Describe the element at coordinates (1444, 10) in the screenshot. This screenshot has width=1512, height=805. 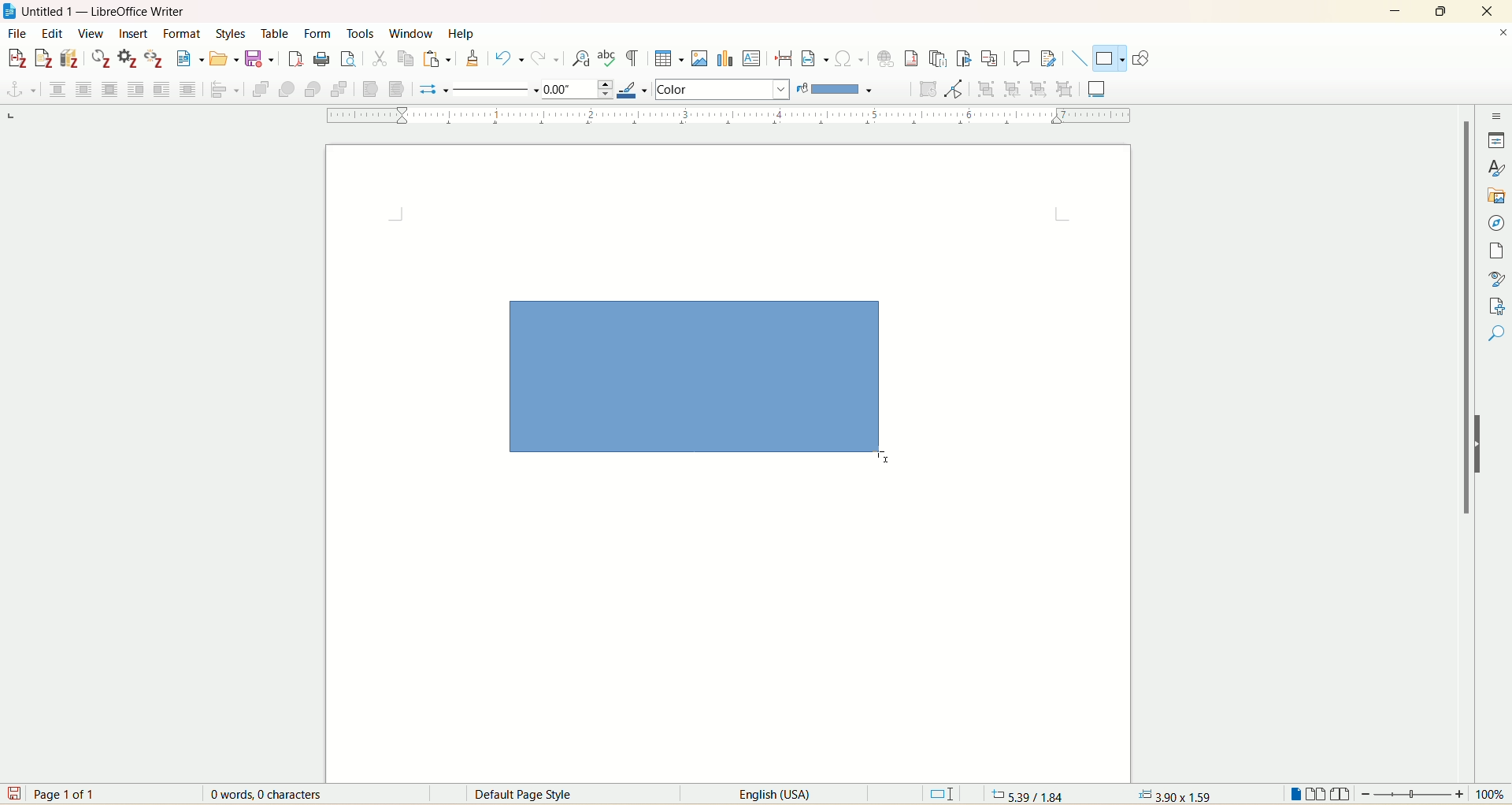
I see `maximize` at that location.